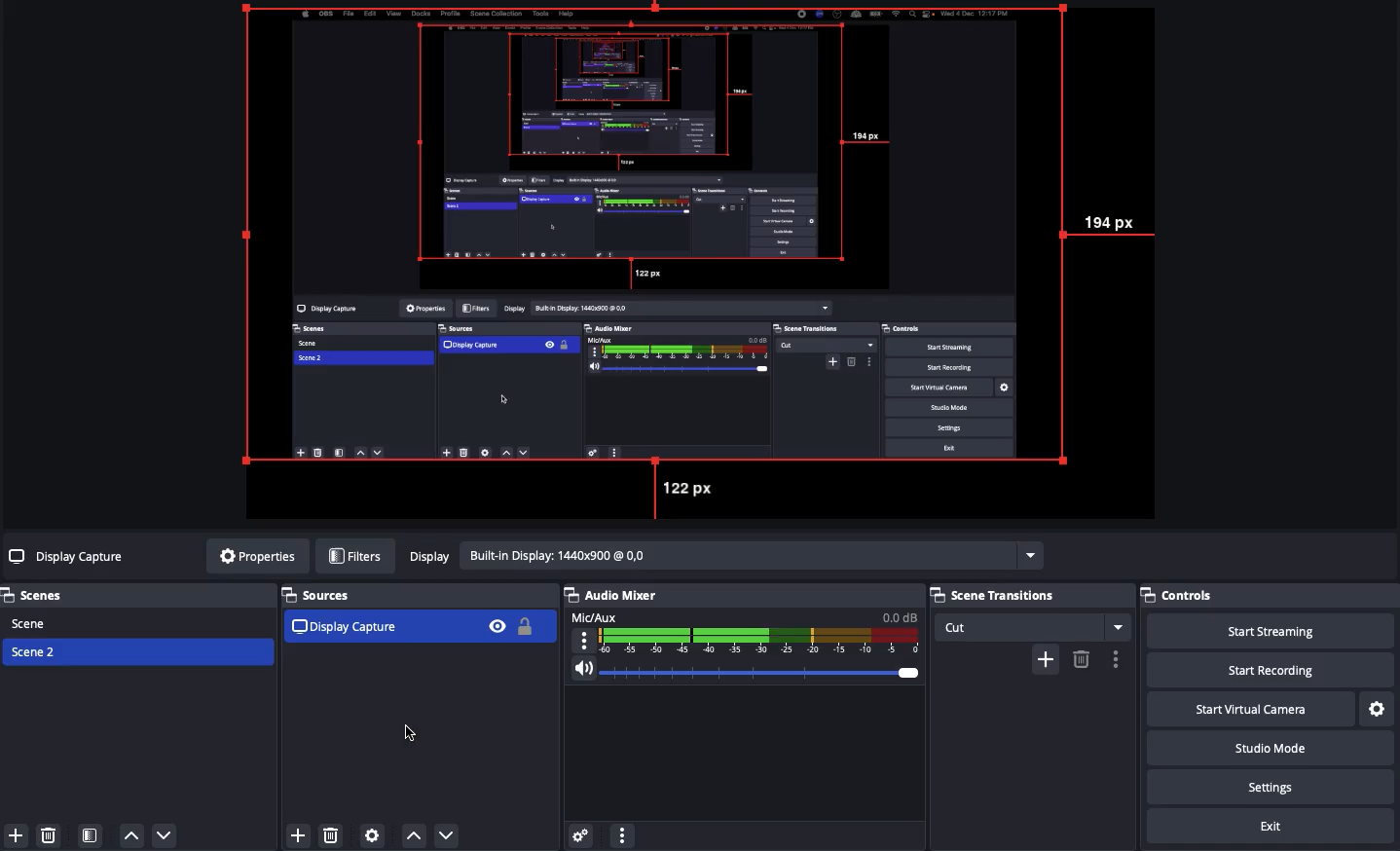  What do you see at coordinates (35, 650) in the screenshot?
I see `Scene 2` at bounding box center [35, 650].